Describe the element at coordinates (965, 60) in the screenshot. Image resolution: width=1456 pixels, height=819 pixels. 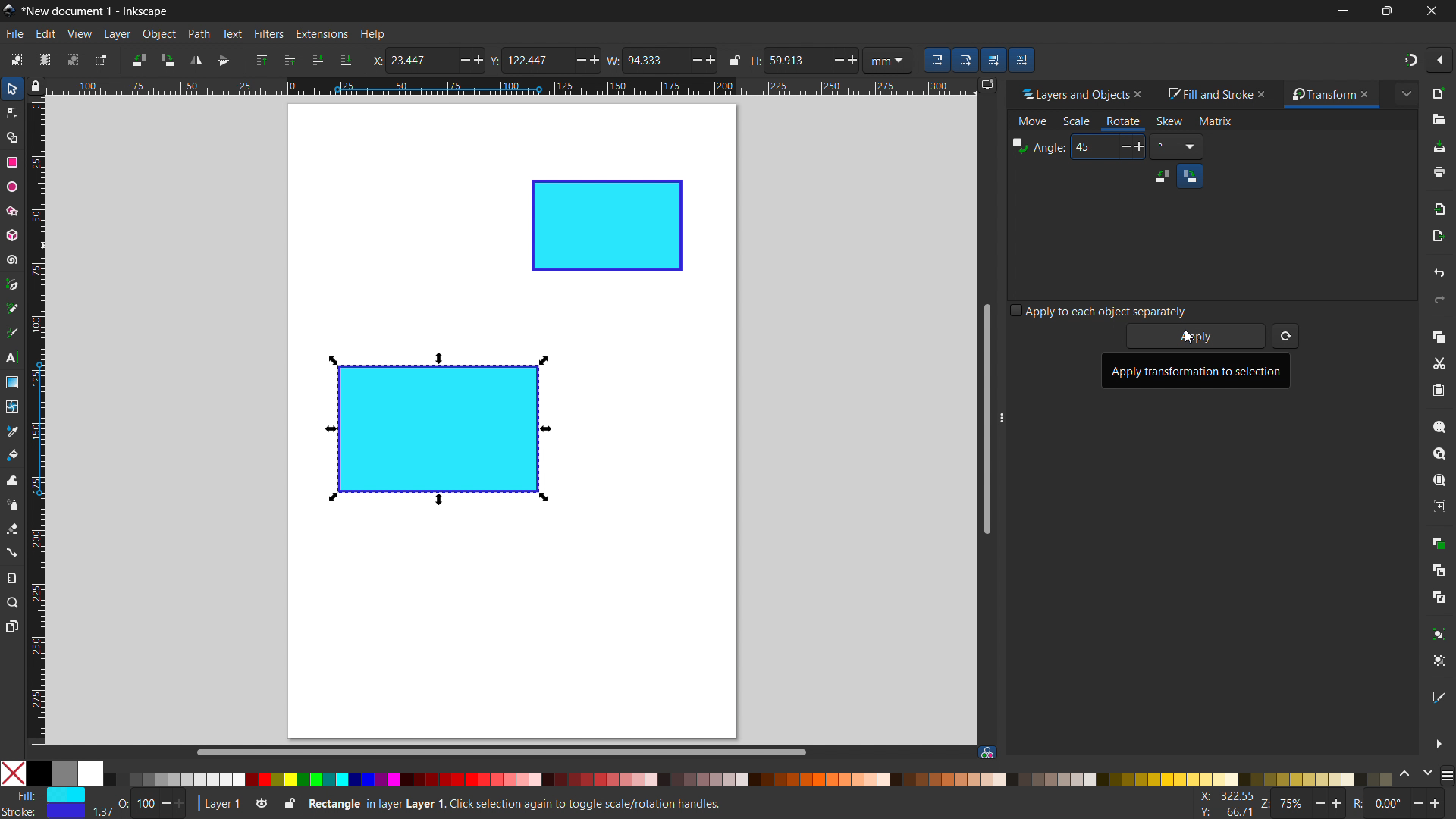
I see `when scaling rectangle, scale the radii of the rounded corners` at that location.